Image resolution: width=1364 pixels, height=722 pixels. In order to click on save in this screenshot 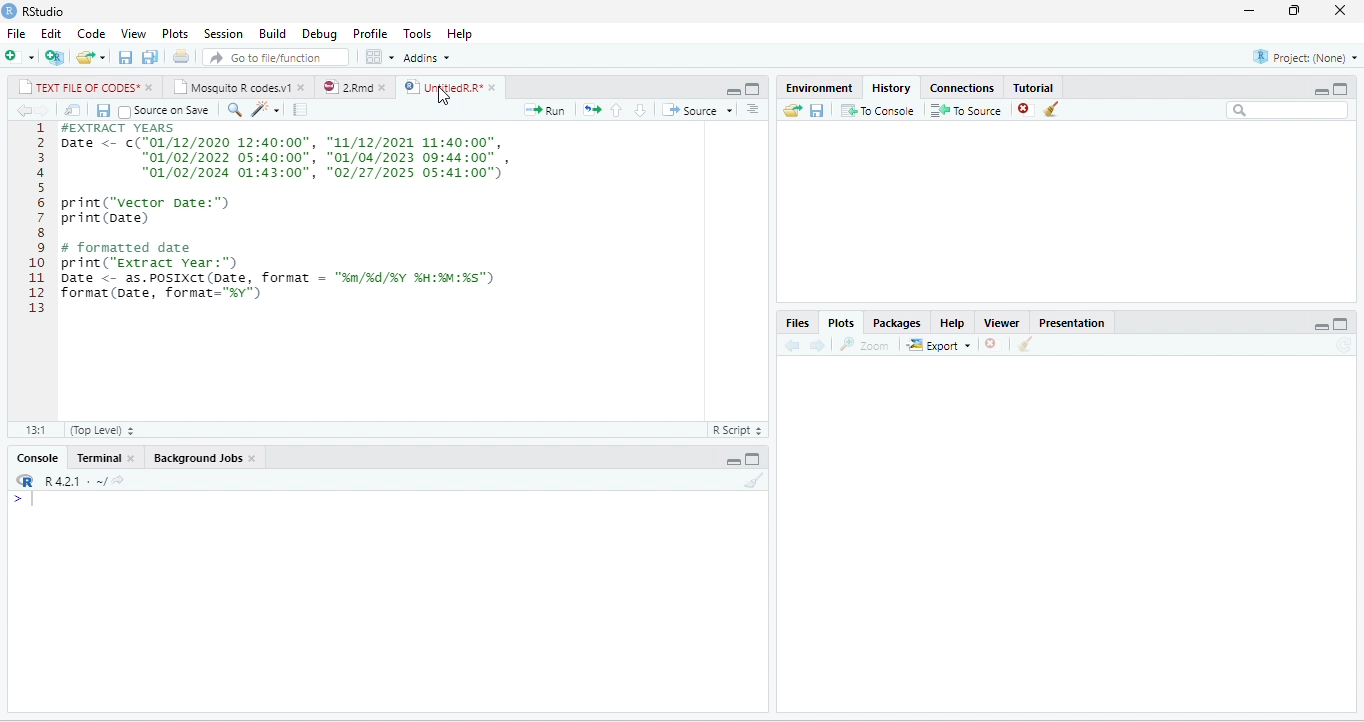, I will do `click(817, 110)`.